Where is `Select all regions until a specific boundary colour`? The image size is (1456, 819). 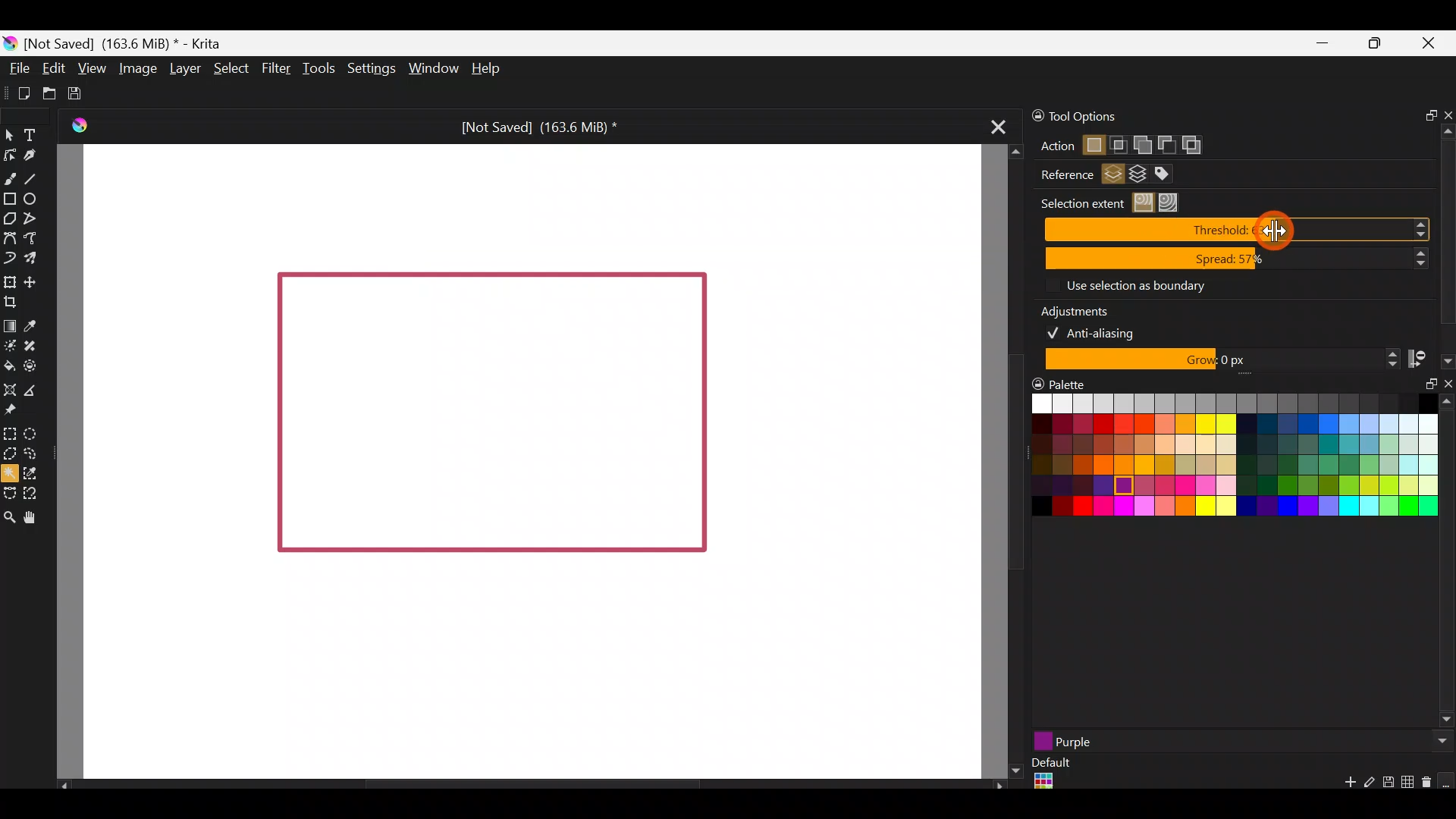
Select all regions until a specific boundary colour is located at coordinates (1172, 202).